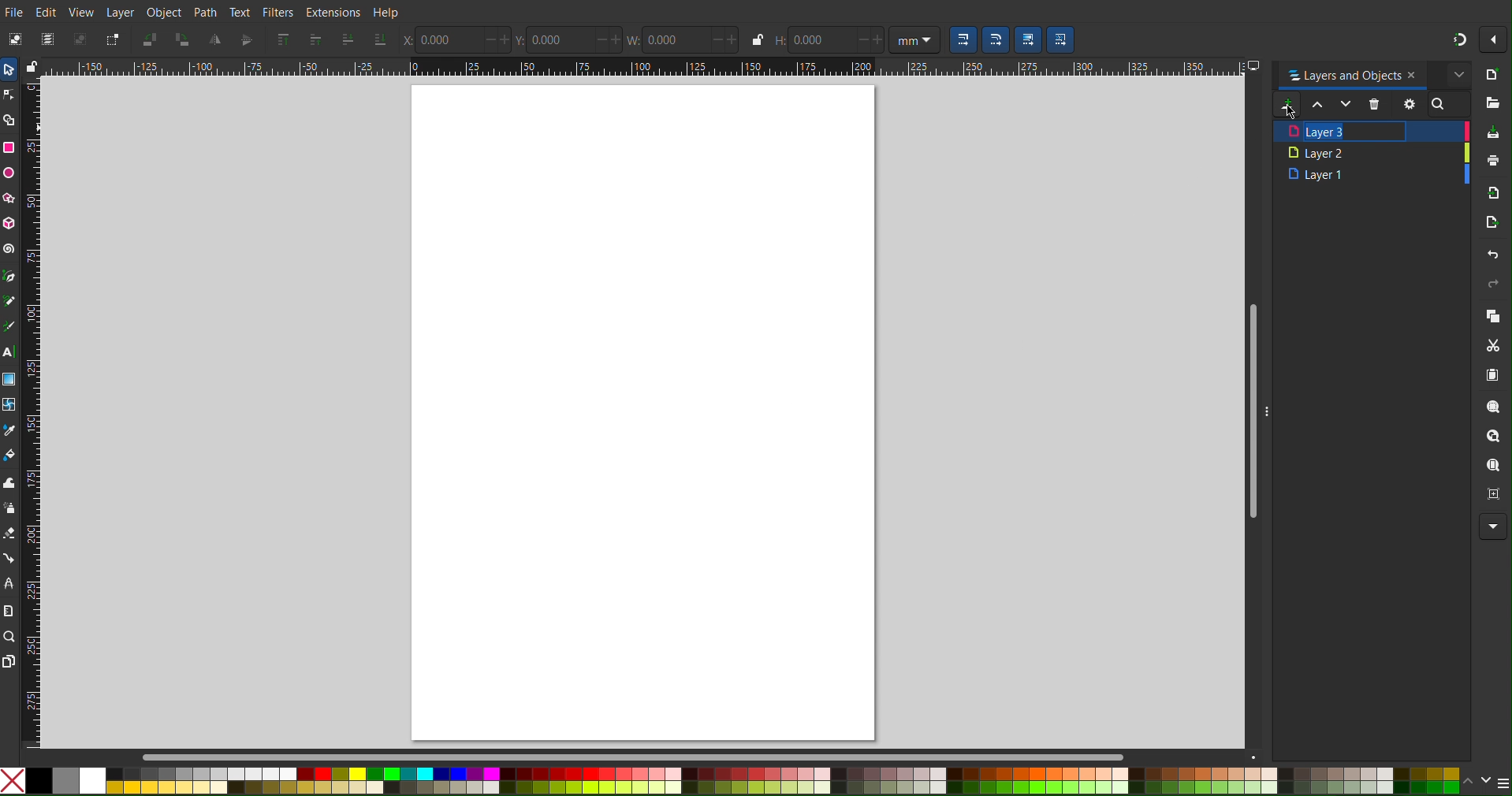  I want to click on Send selection one layer down, so click(348, 39).